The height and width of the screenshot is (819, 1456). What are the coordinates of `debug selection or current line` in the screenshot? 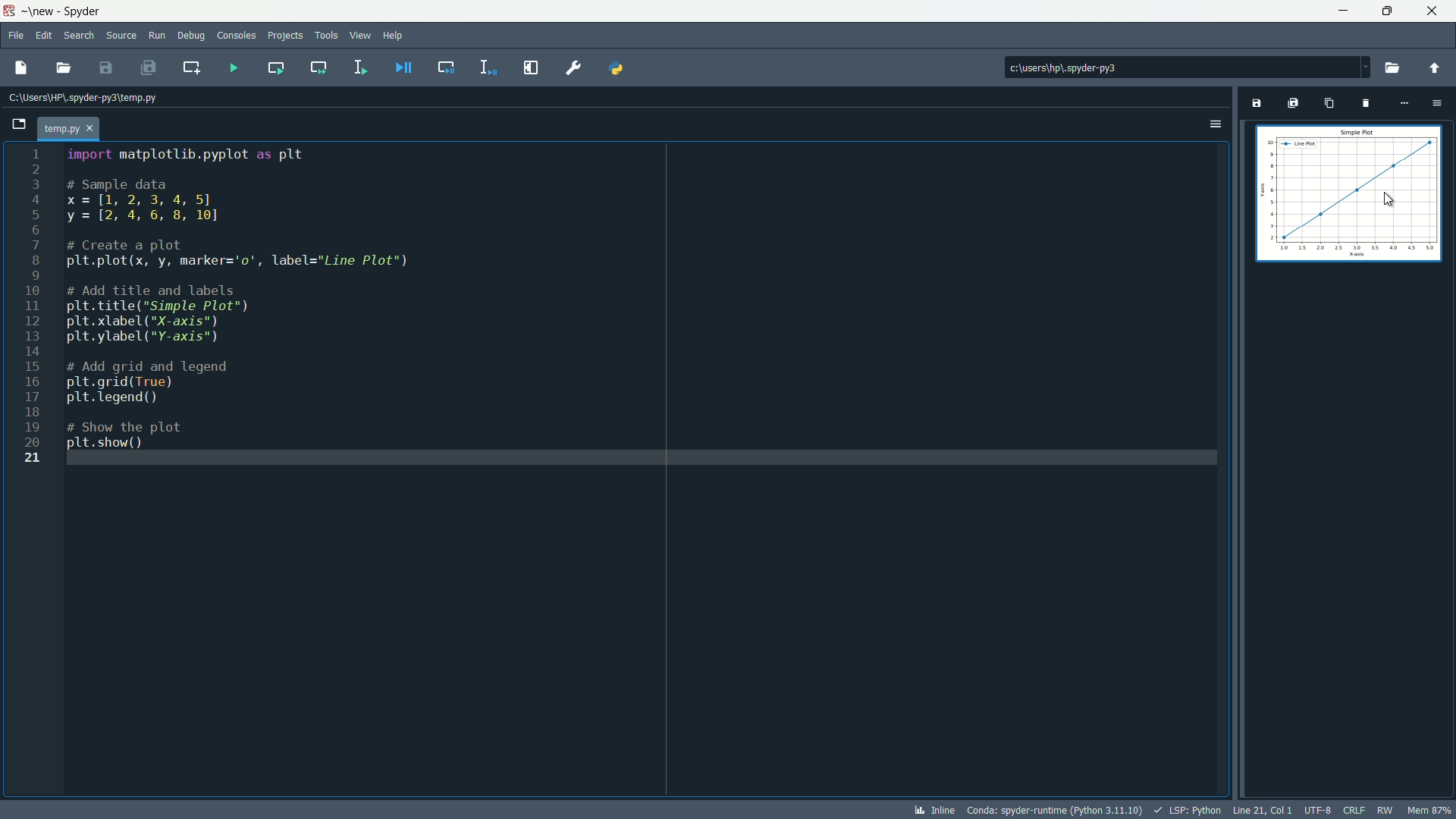 It's located at (487, 67).